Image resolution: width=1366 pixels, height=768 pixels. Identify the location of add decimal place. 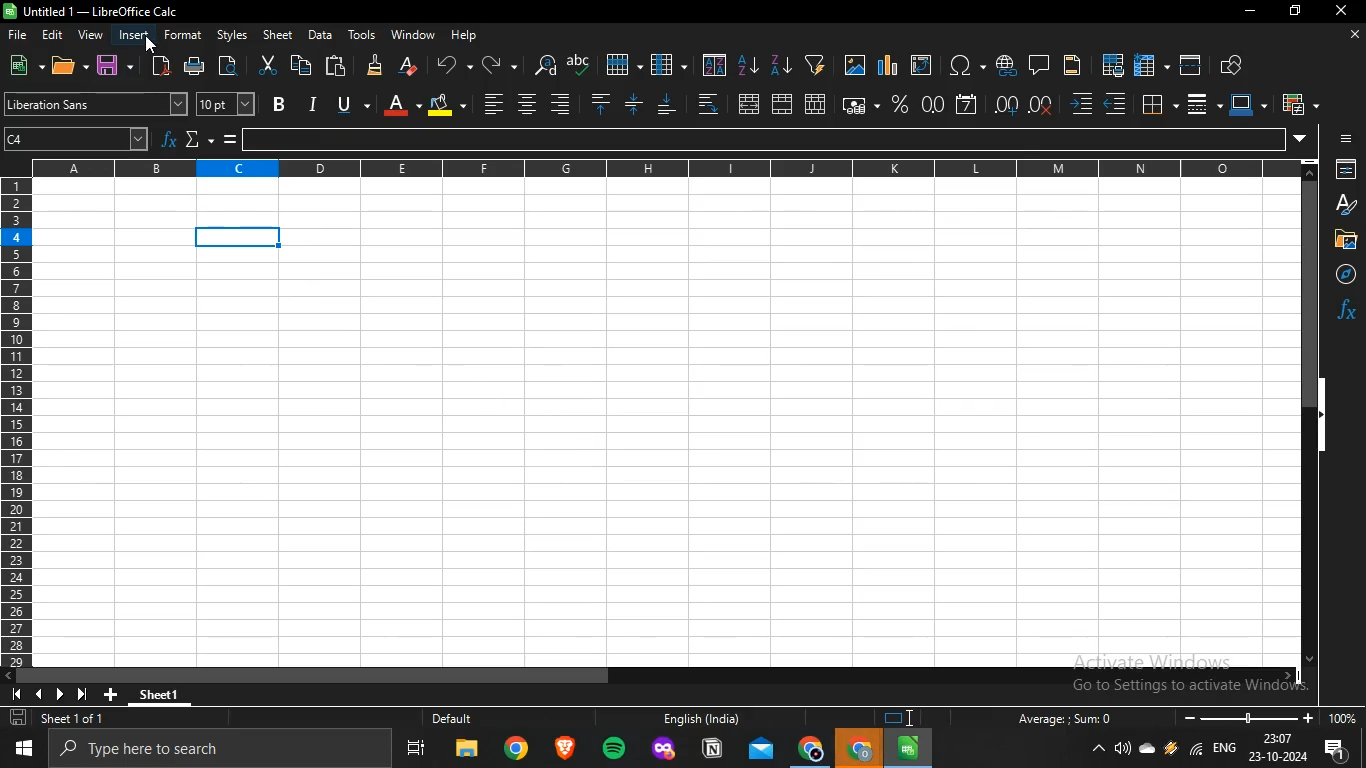
(1007, 105).